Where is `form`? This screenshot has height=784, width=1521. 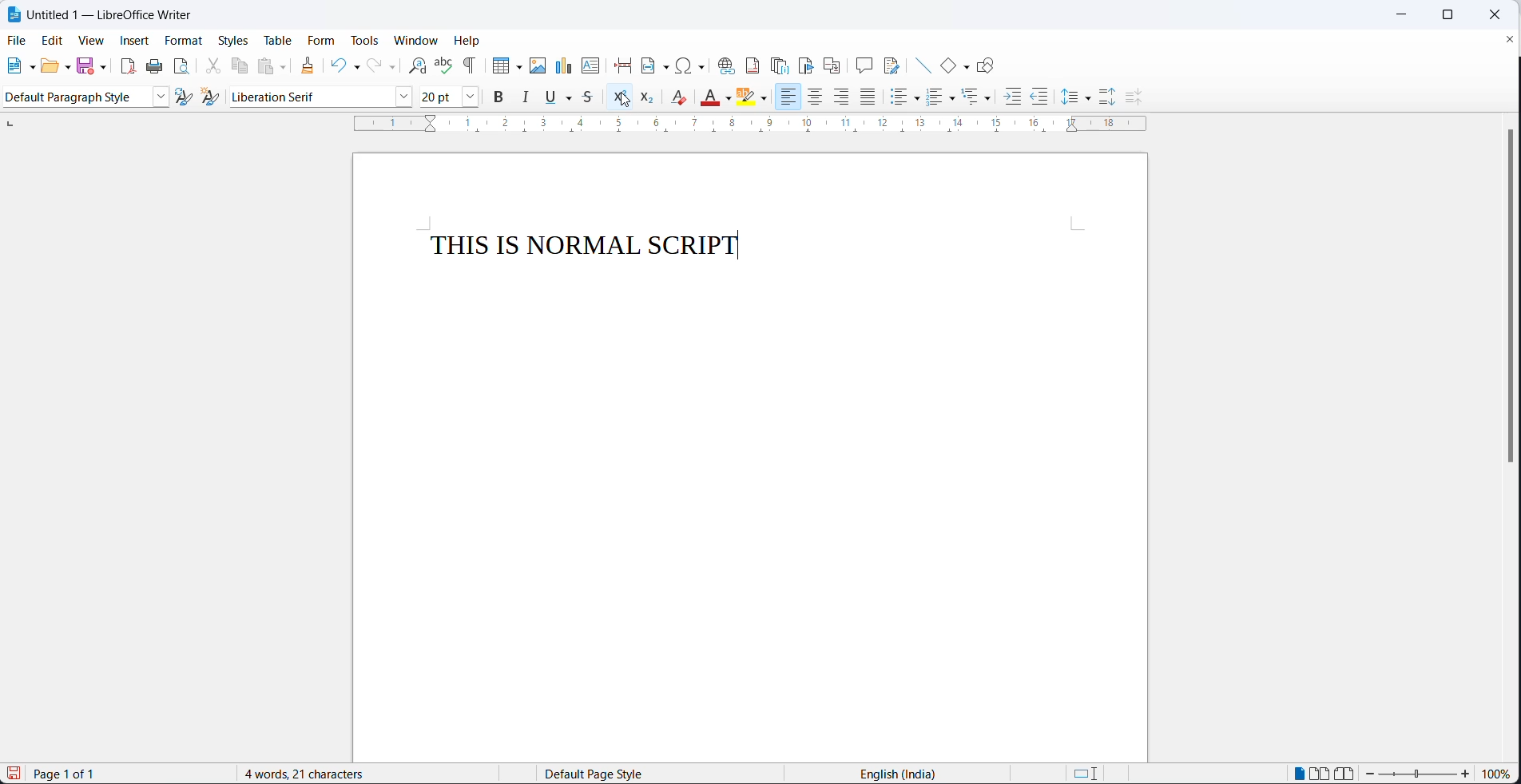 form is located at coordinates (323, 42).